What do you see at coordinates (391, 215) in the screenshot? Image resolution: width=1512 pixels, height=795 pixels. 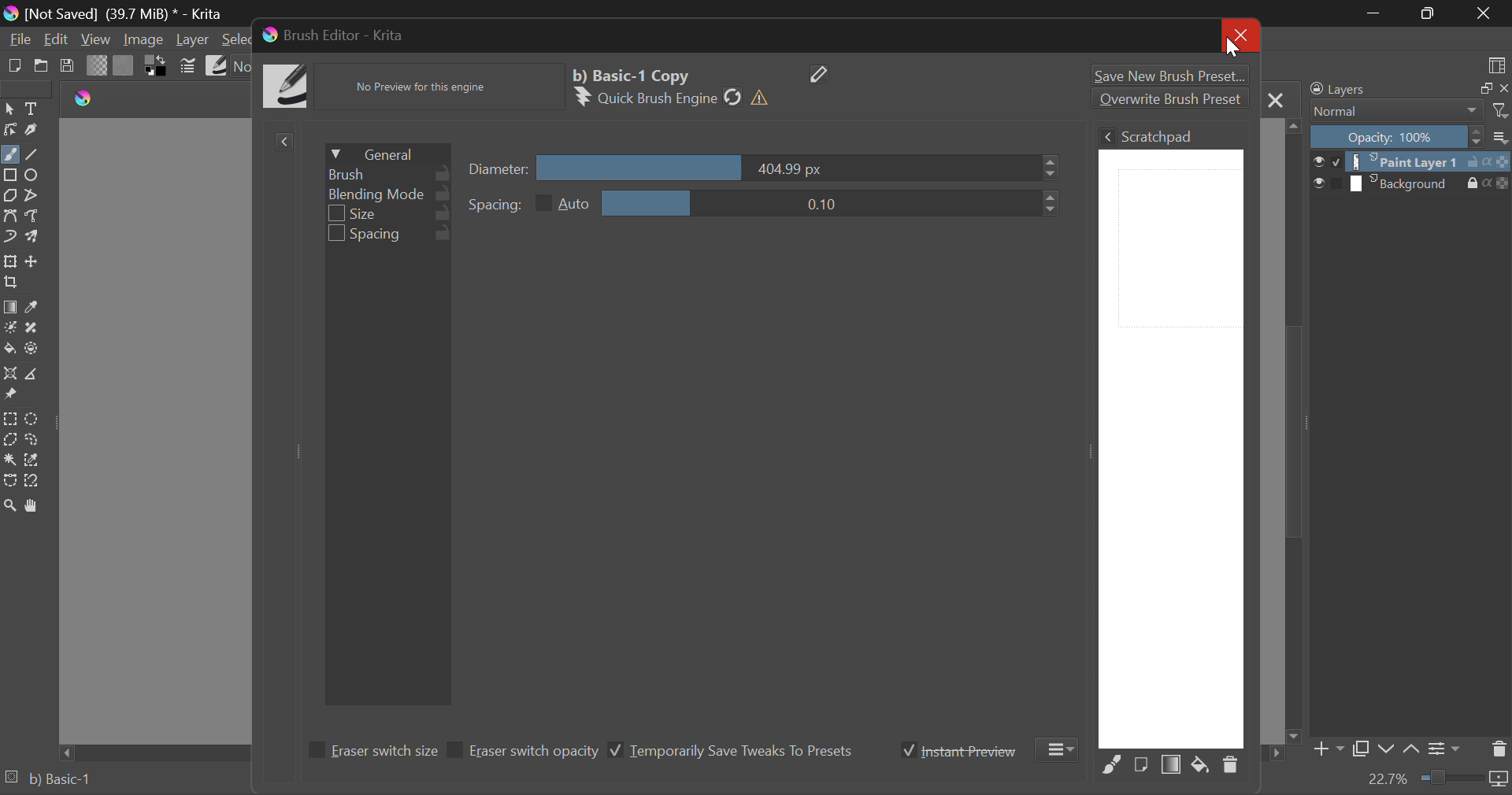 I see `Size` at bounding box center [391, 215].